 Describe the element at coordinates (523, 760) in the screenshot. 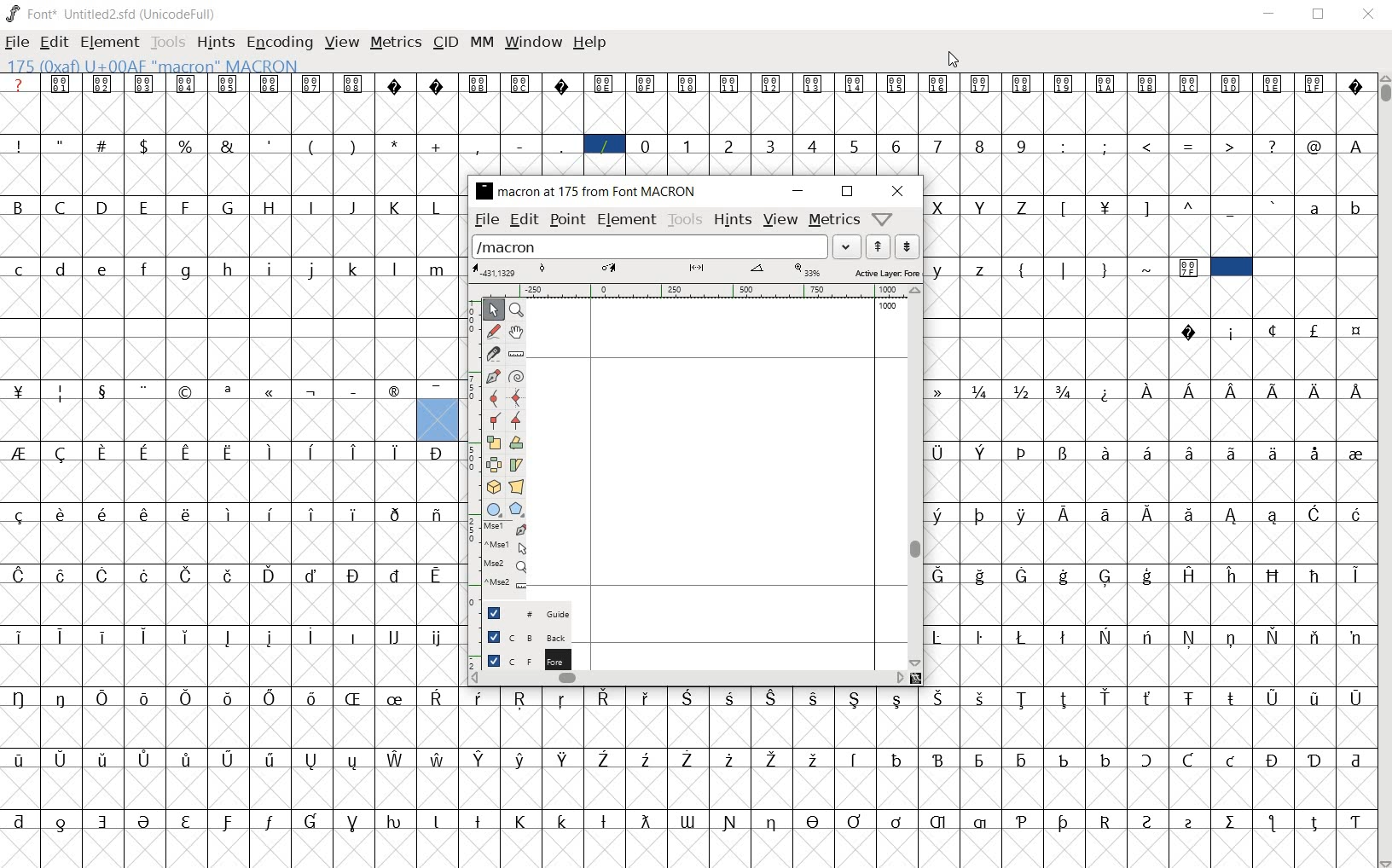

I see `Symbol` at that location.